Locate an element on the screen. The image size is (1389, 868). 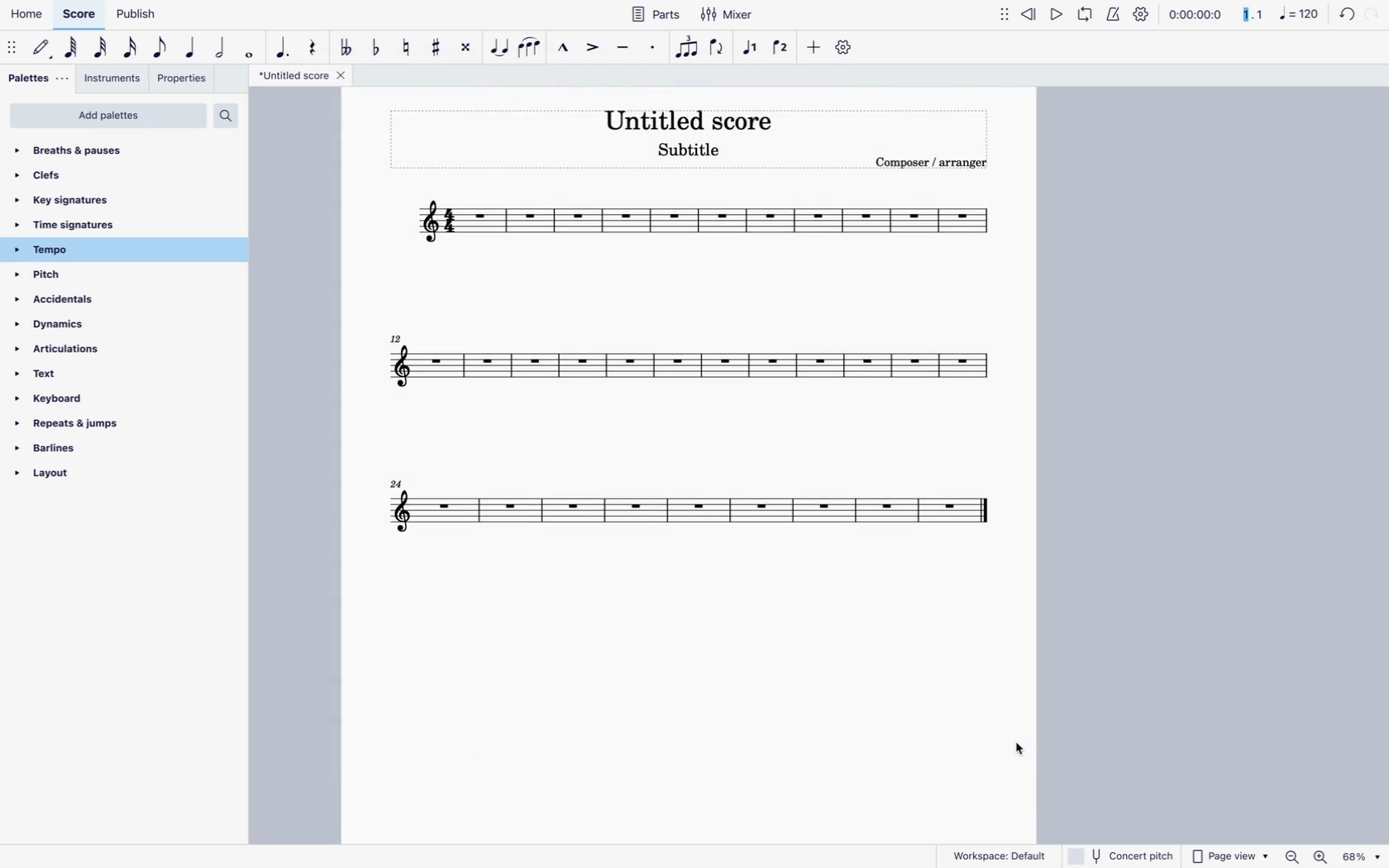
quarter note is located at coordinates (191, 50).